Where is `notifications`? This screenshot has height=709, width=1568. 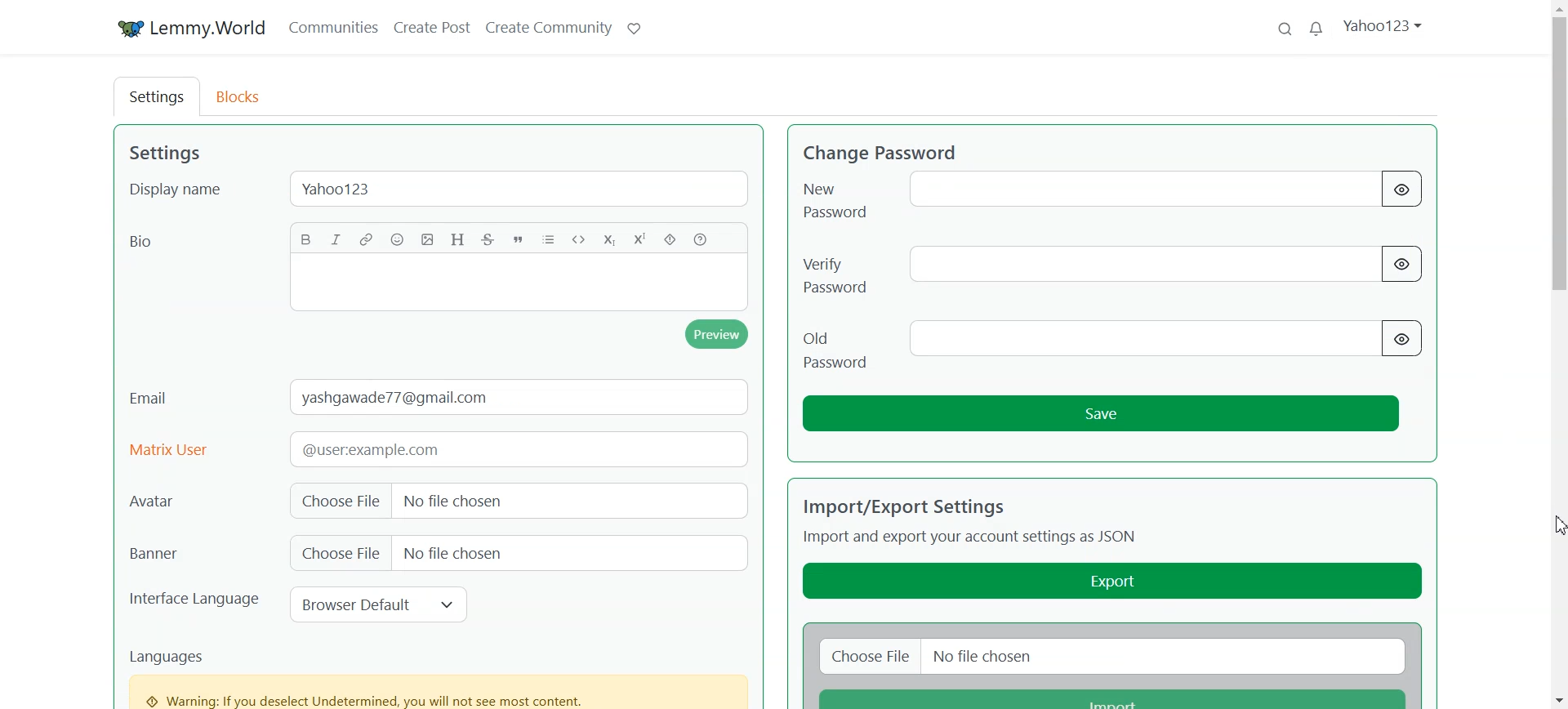 notifications is located at coordinates (1316, 30).